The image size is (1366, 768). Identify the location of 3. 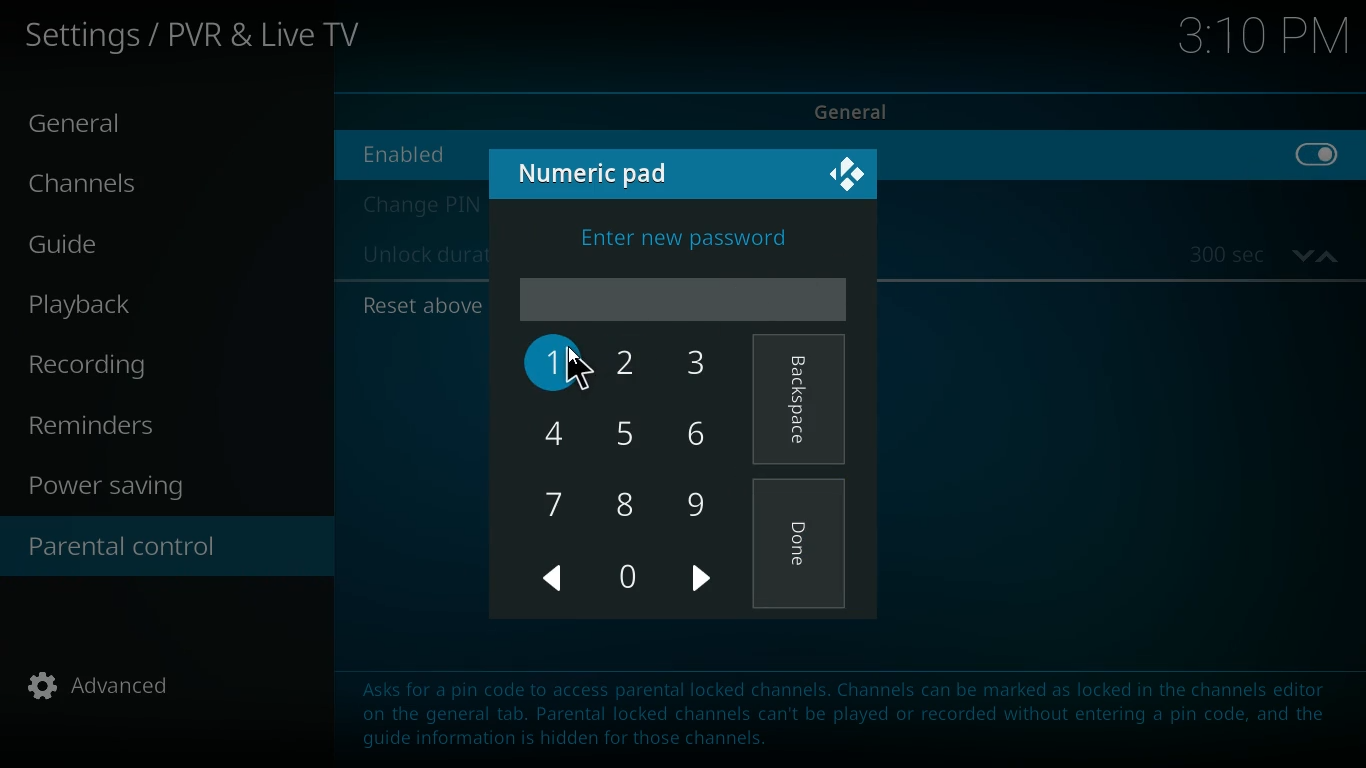
(699, 363).